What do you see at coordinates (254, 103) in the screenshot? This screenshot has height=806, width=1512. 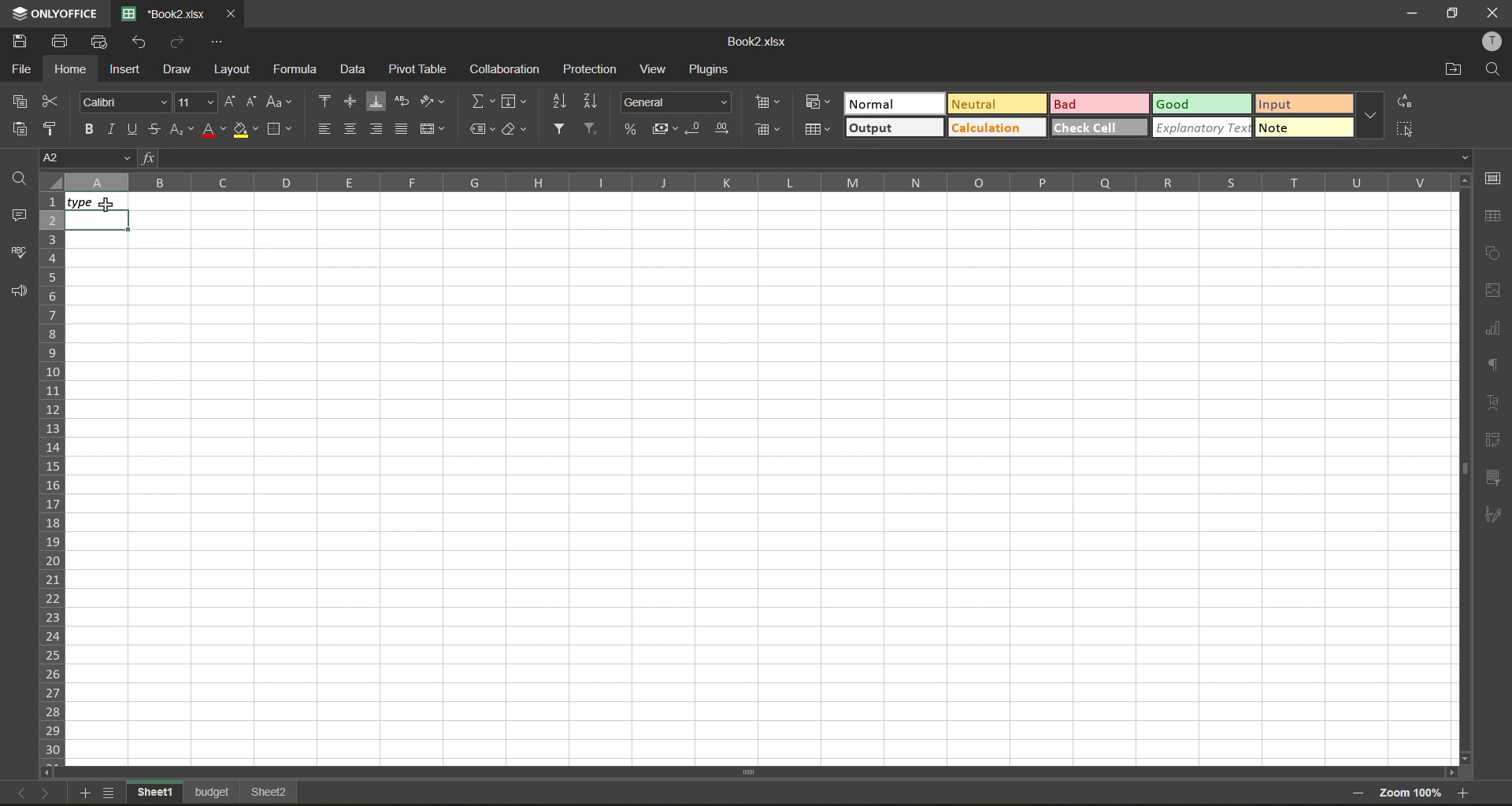 I see `decrement size` at bounding box center [254, 103].